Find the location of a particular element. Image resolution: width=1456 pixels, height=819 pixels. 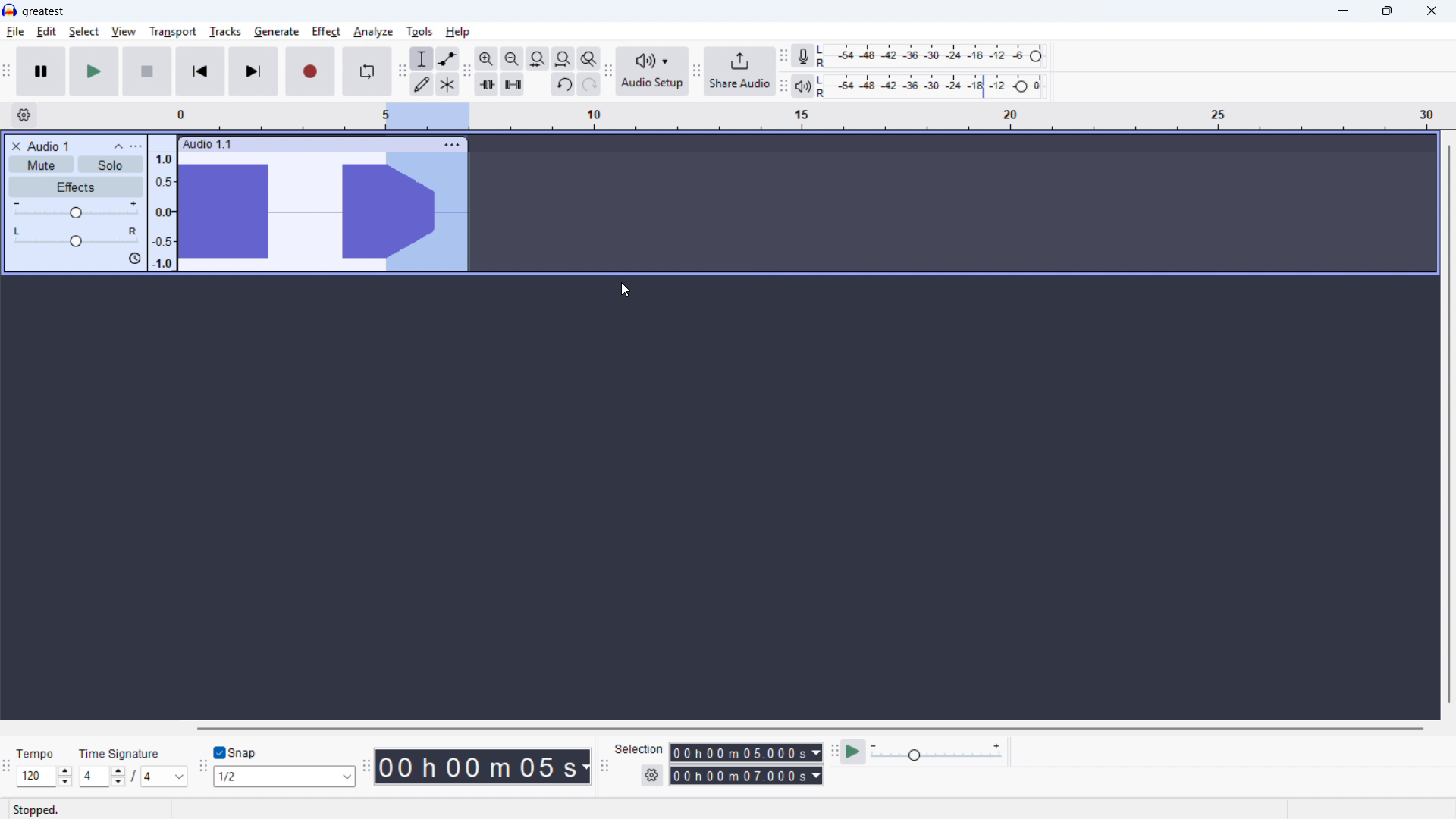

Recording metre toolbar  is located at coordinates (783, 57).